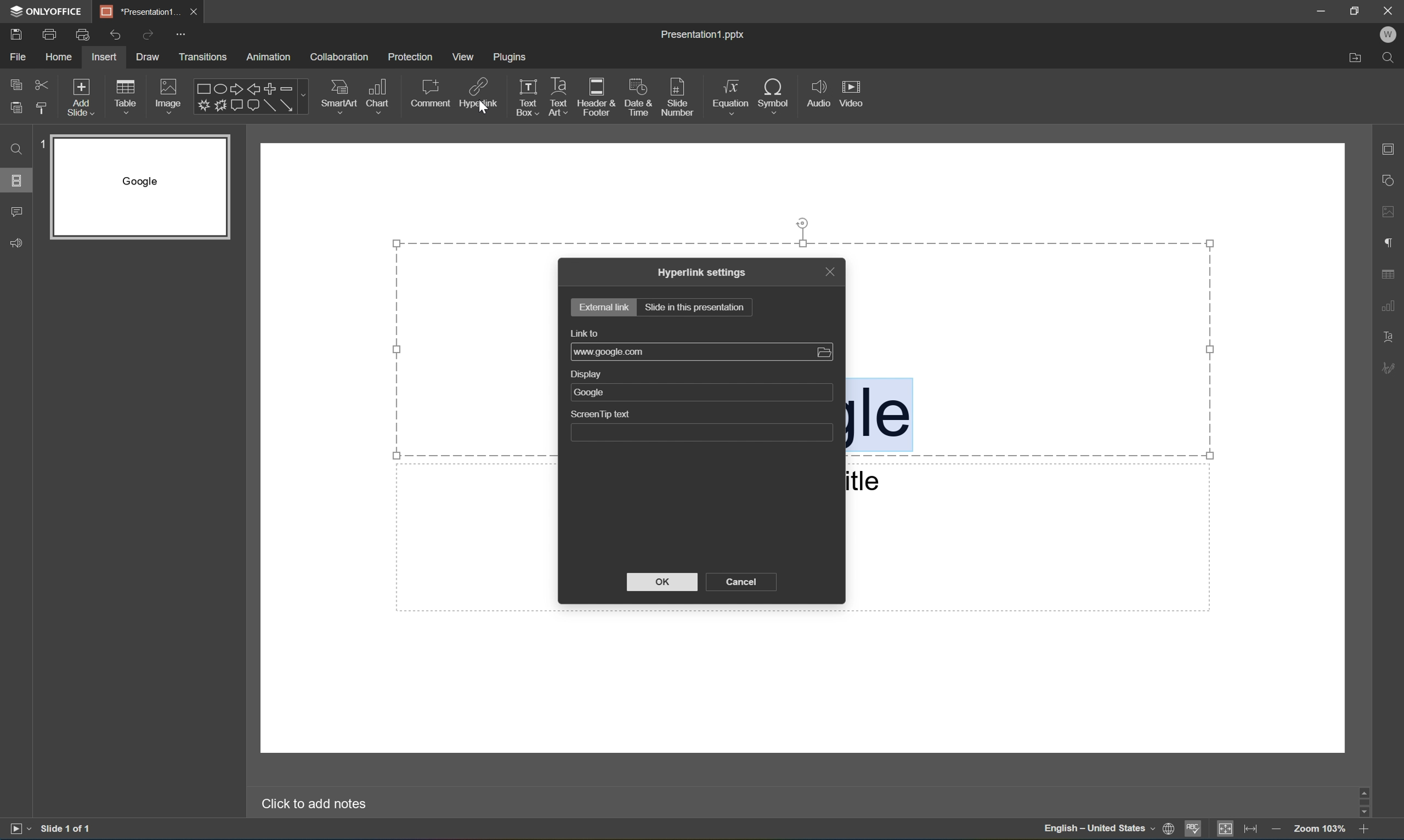  Describe the element at coordinates (147, 57) in the screenshot. I see `Draw` at that location.